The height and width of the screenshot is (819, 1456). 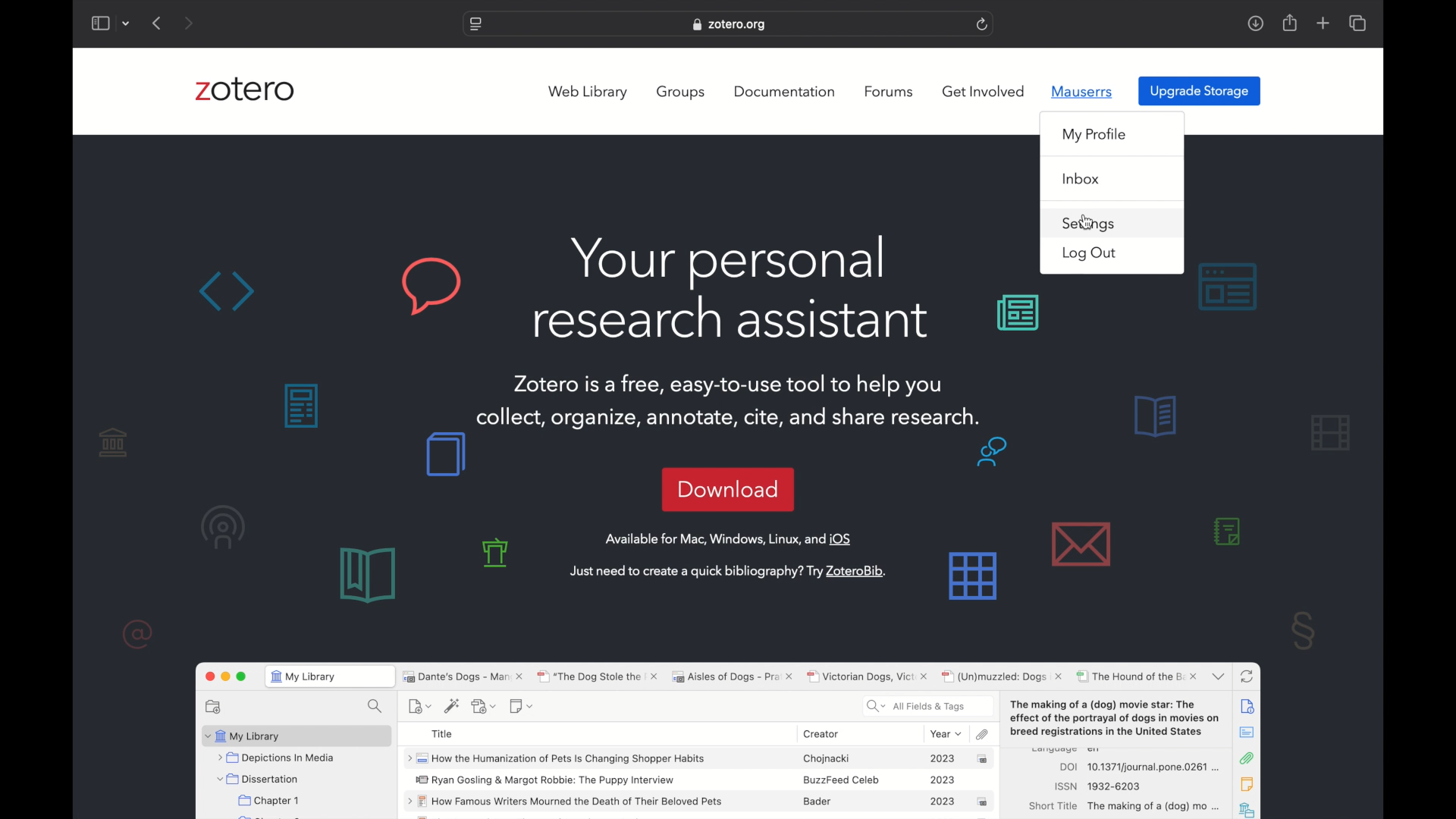 I want to click on share, so click(x=1291, y=22).